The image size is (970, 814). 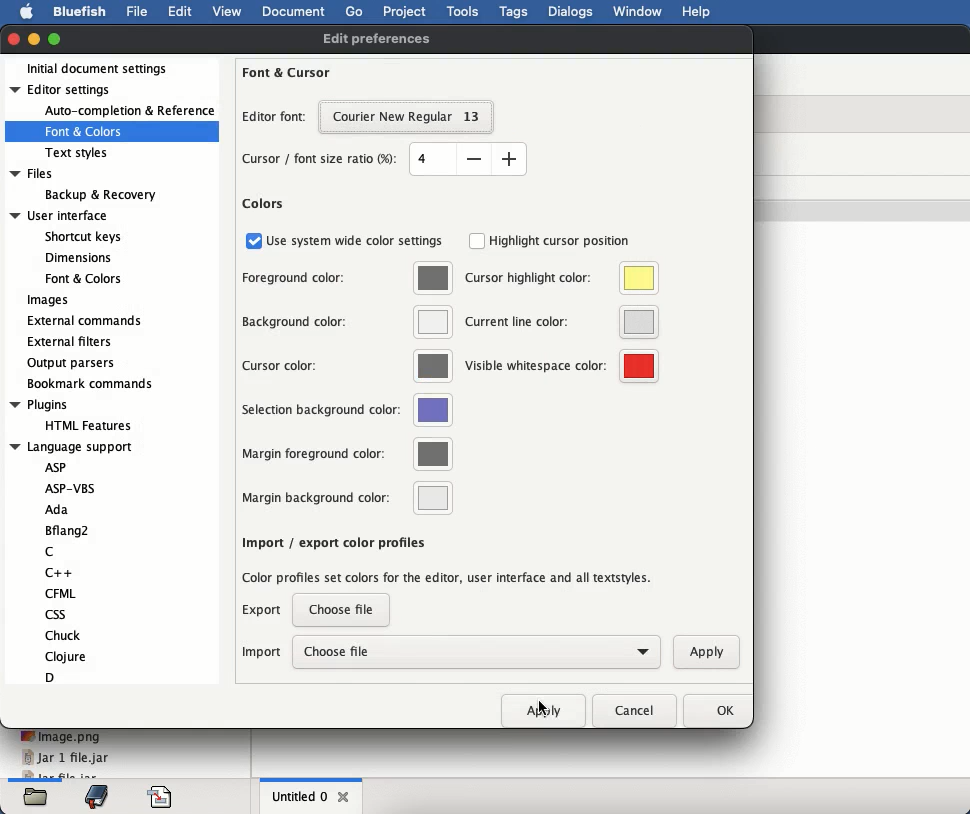 I want to click on click, so click(x=544, y=704).